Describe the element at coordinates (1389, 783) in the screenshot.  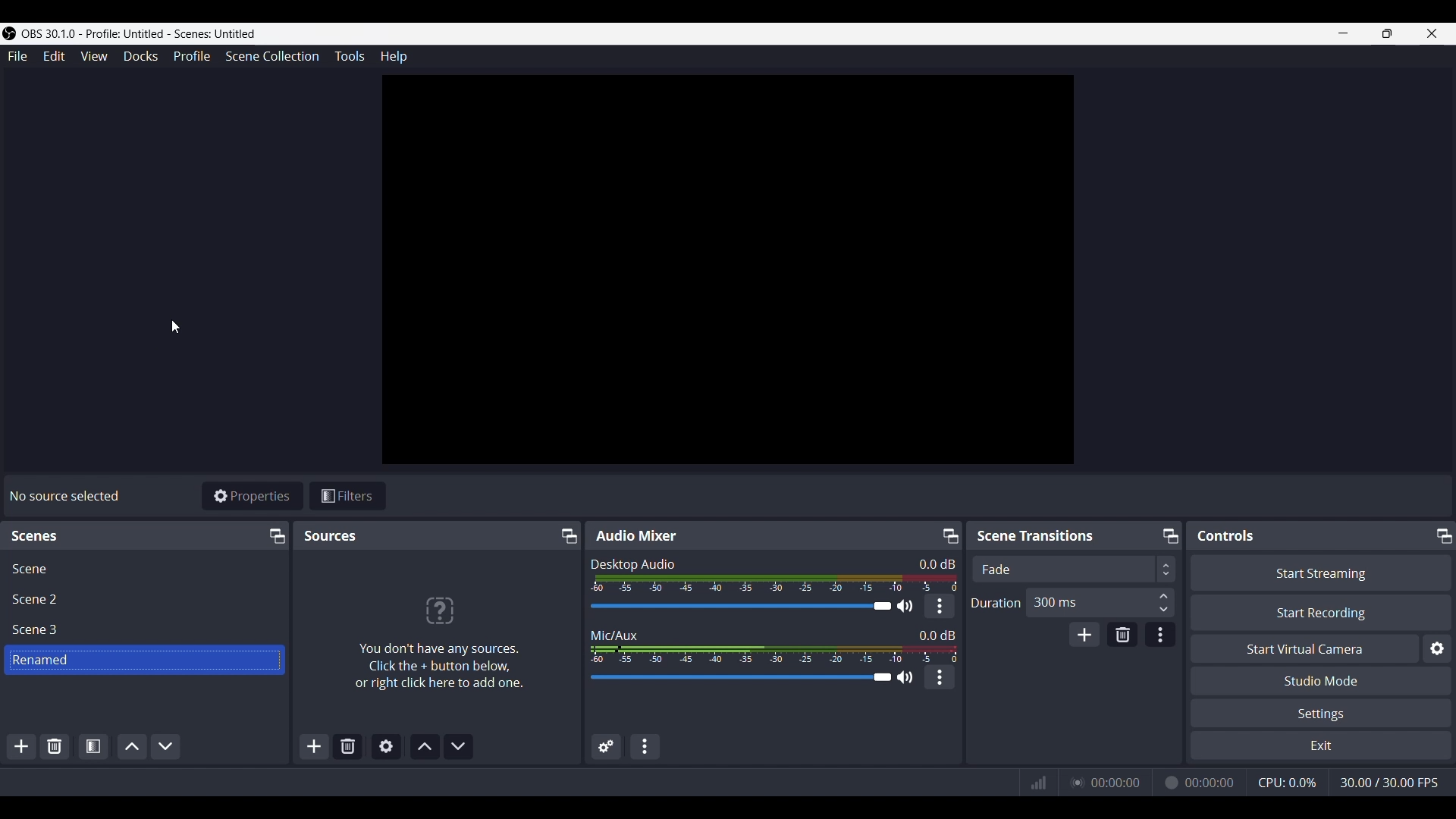
I see `Frame Rate (FPS)` at that location.